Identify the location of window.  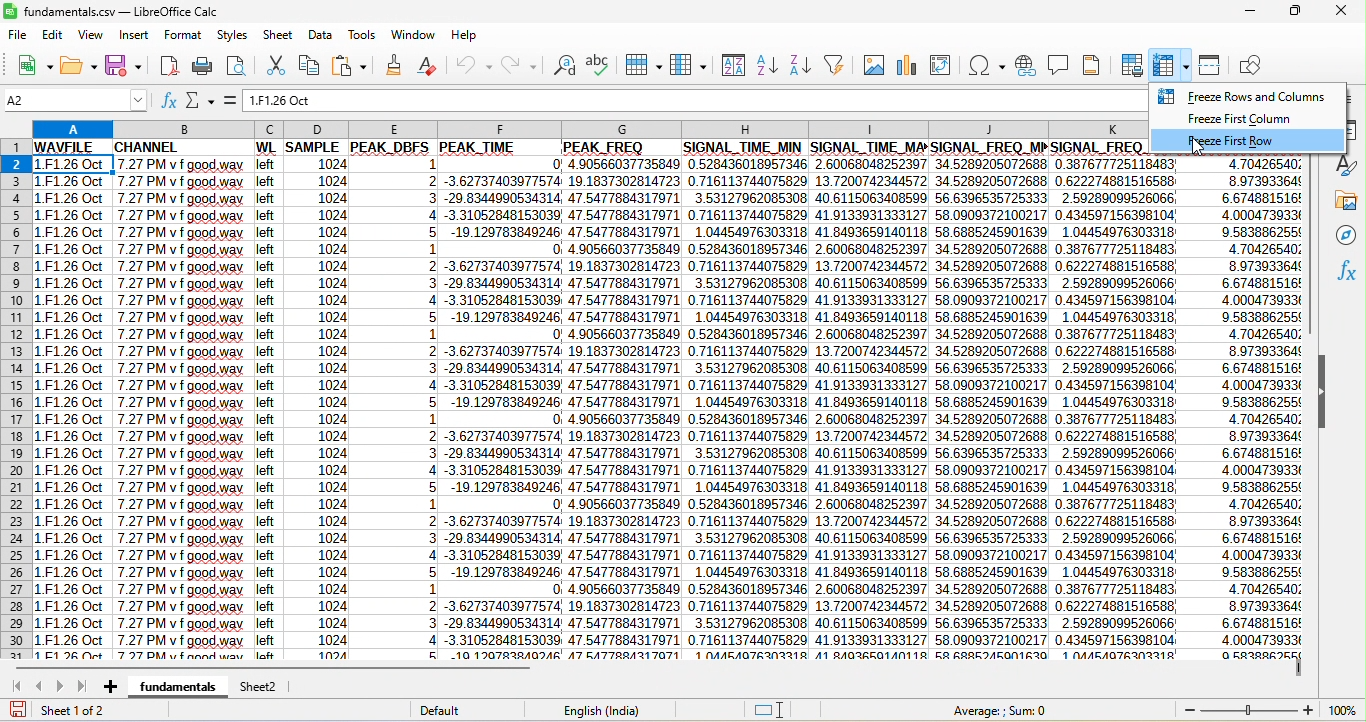
(415, 33).